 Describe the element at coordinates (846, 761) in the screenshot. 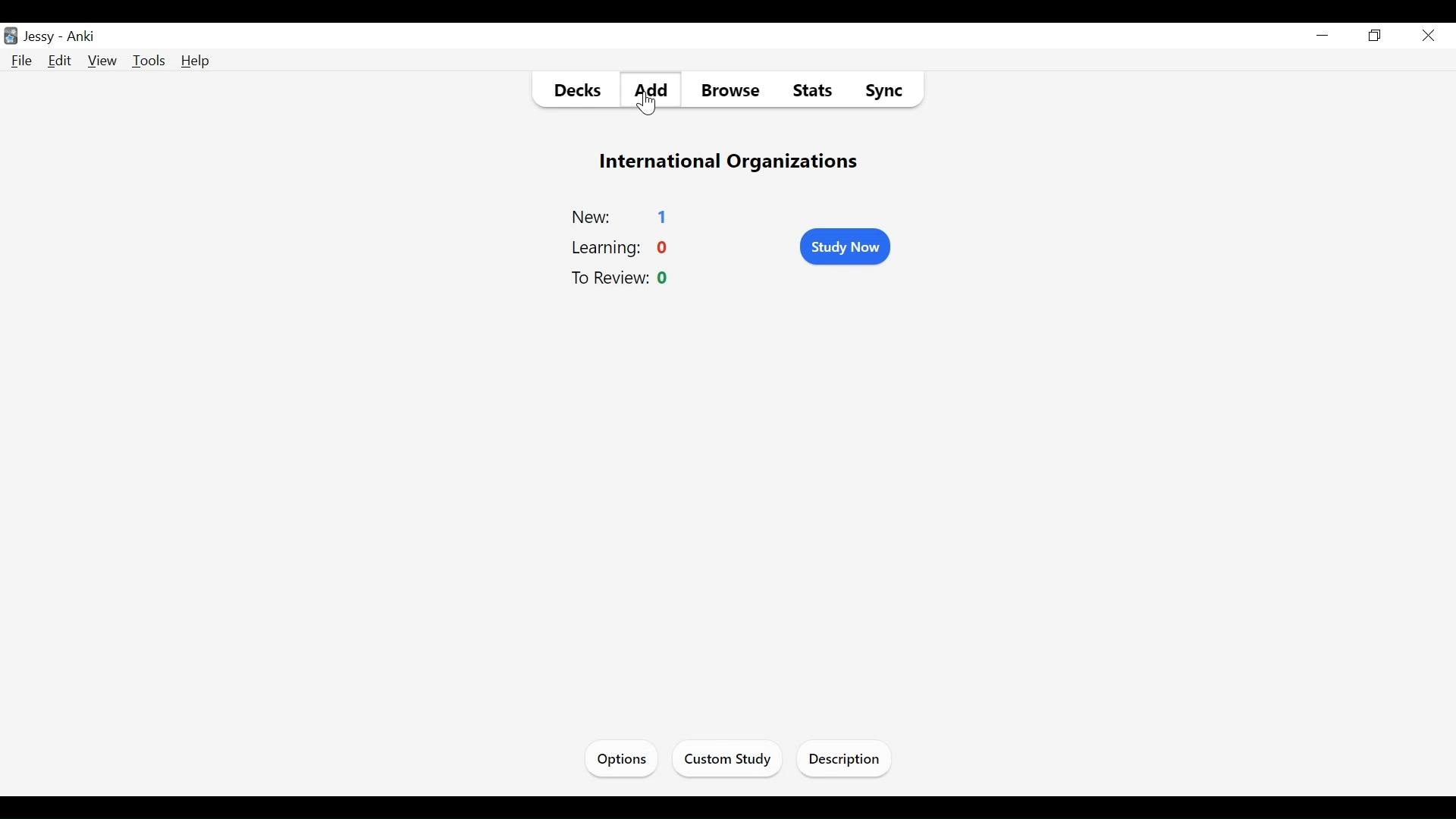

I see `Description` at that location.